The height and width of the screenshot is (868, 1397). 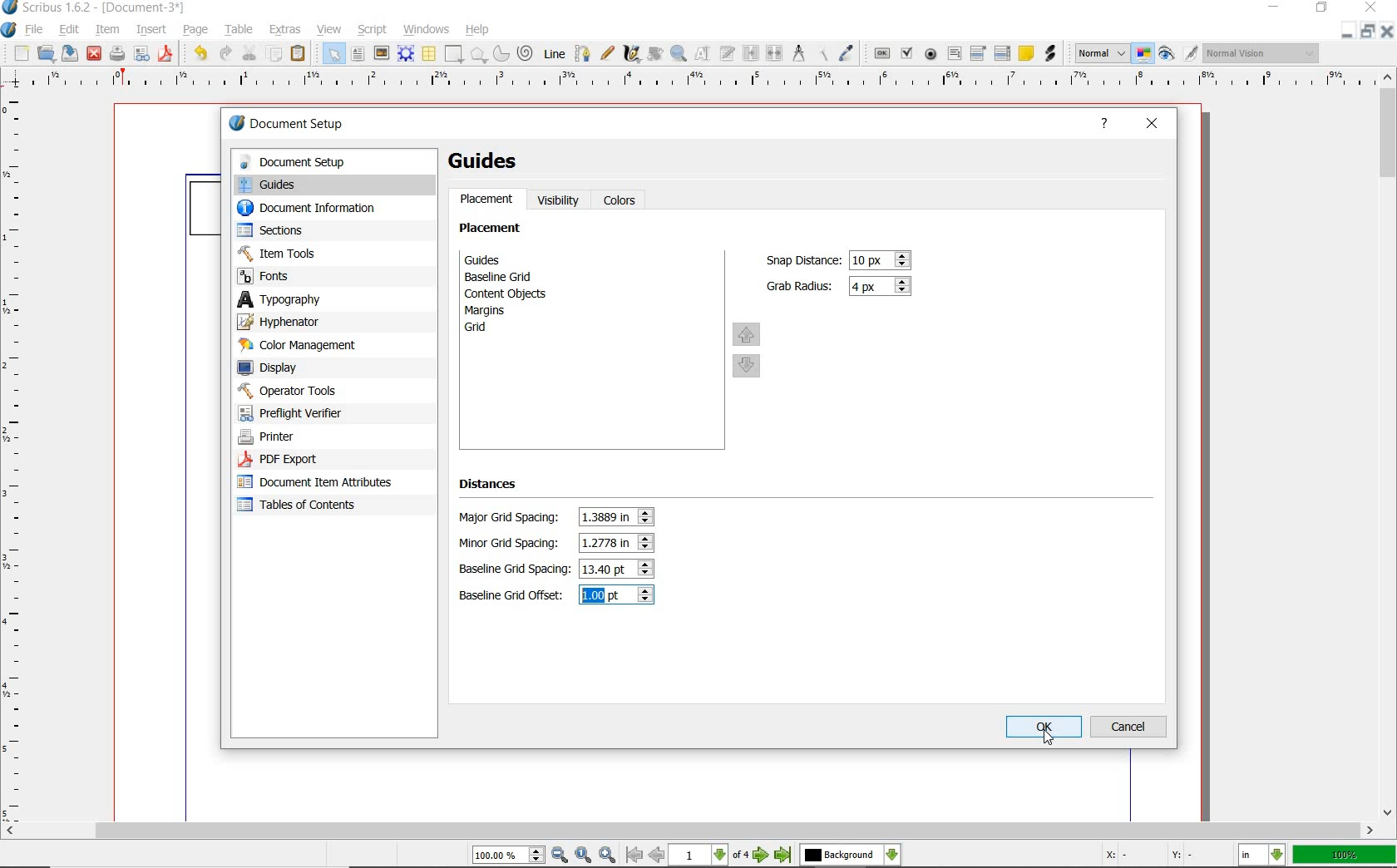 I want to click on hyphenator, so click(x=324, y=323).